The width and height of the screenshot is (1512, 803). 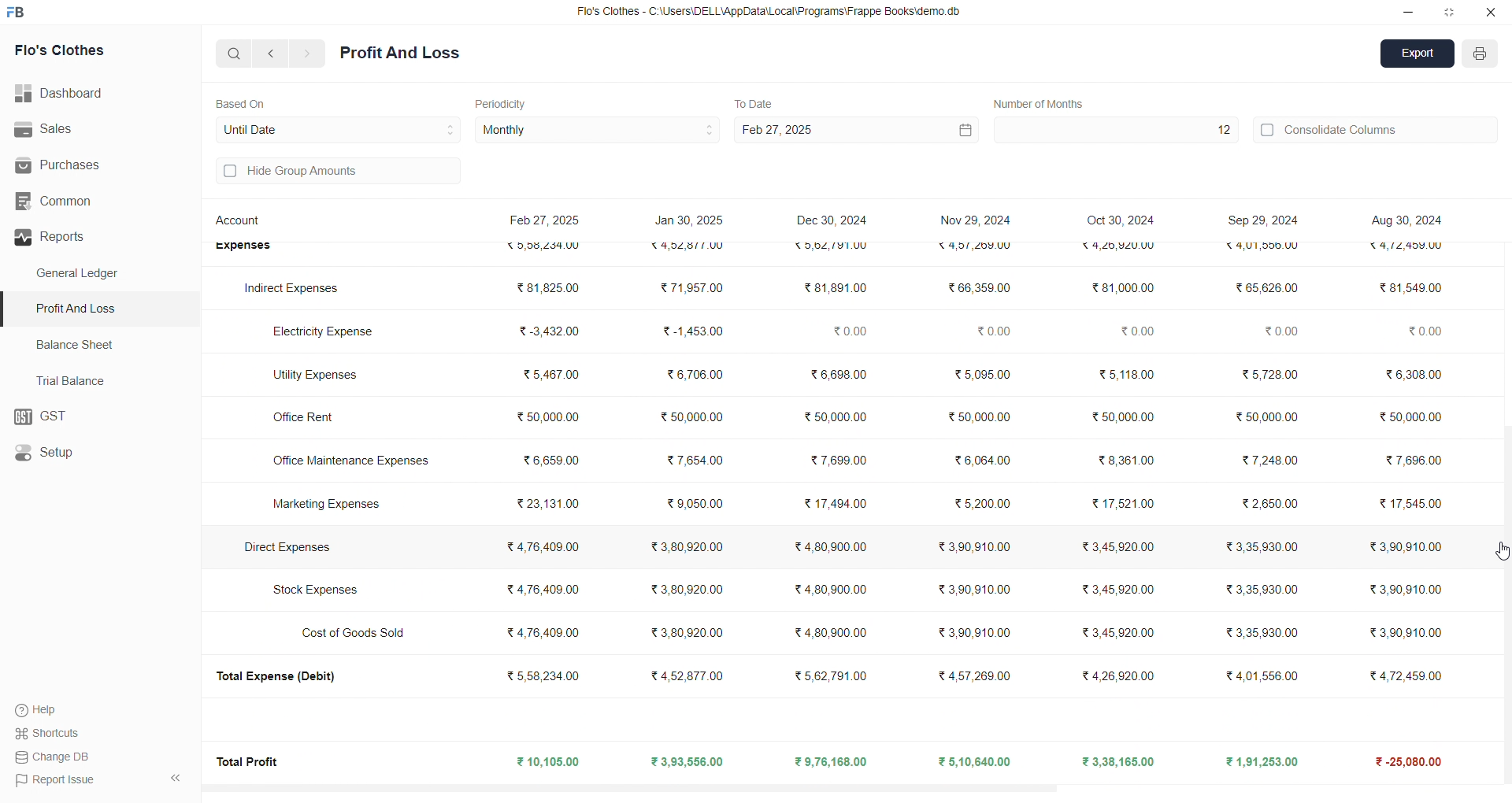 I want to click on Based On, so click(x=244, y=102).